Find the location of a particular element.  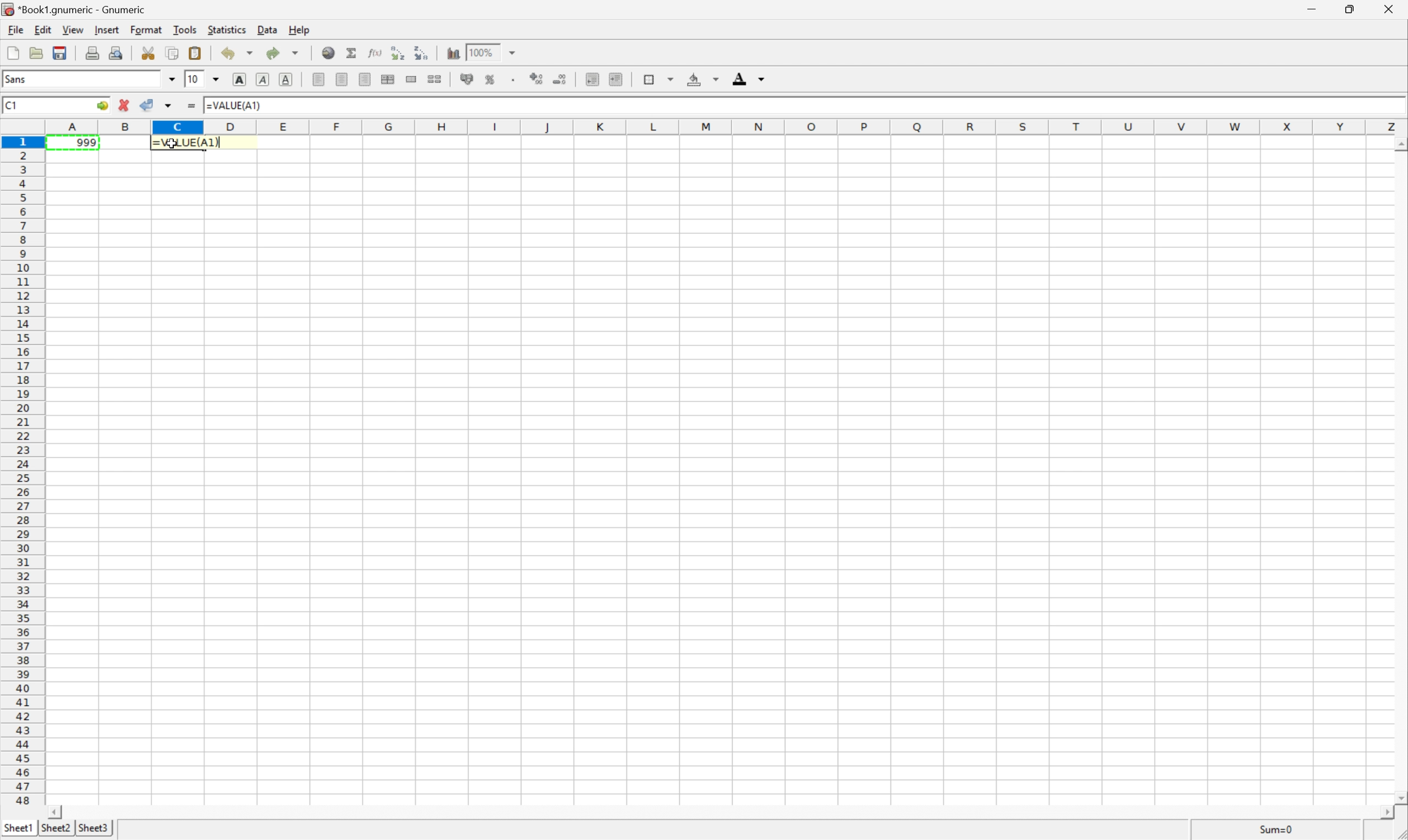

merge a range of cells is located at coordinates (411, 80).